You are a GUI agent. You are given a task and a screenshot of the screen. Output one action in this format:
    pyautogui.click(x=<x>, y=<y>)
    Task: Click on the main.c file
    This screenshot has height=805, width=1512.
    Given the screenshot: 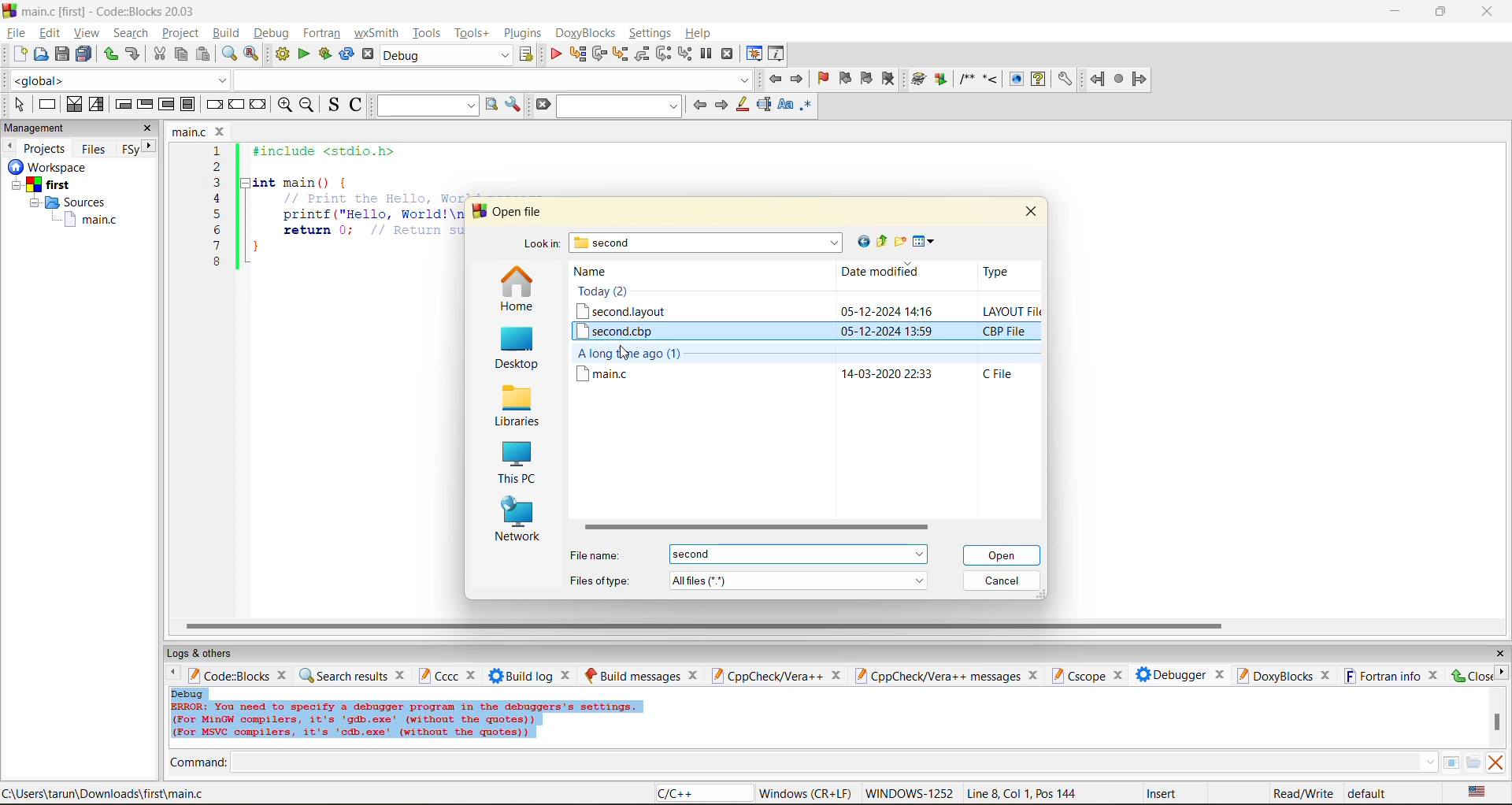 What is the action you would take?
    pyautogui.click(x=91, y=221)
    